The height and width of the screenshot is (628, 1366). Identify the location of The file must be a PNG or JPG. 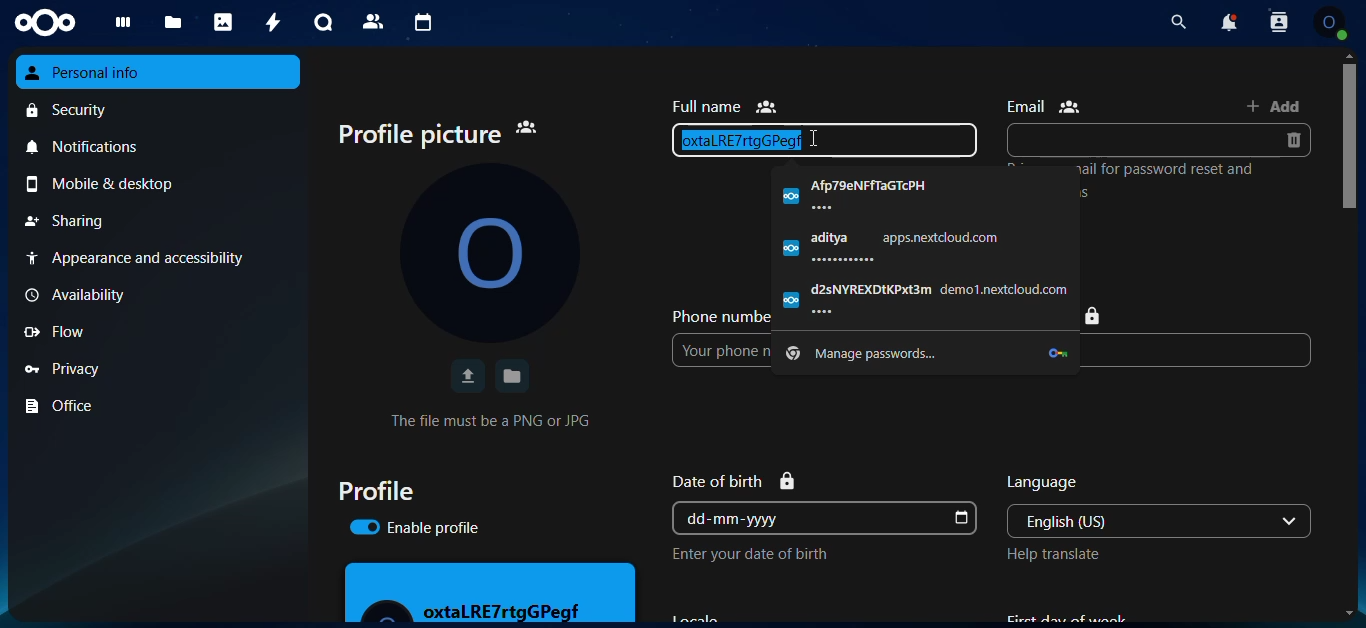
(490, 420).